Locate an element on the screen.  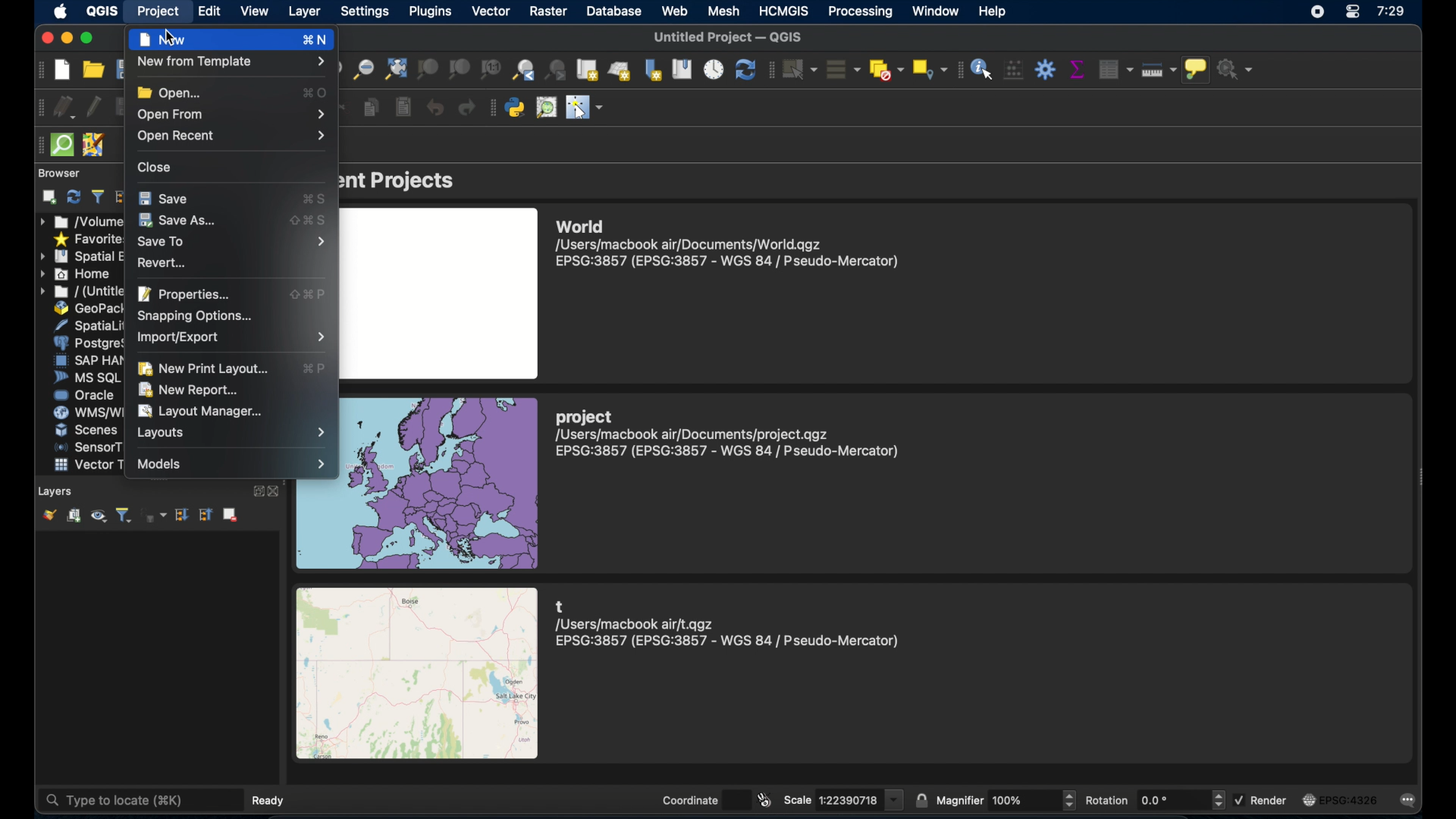
refresh is located at coordinates (72, 196).